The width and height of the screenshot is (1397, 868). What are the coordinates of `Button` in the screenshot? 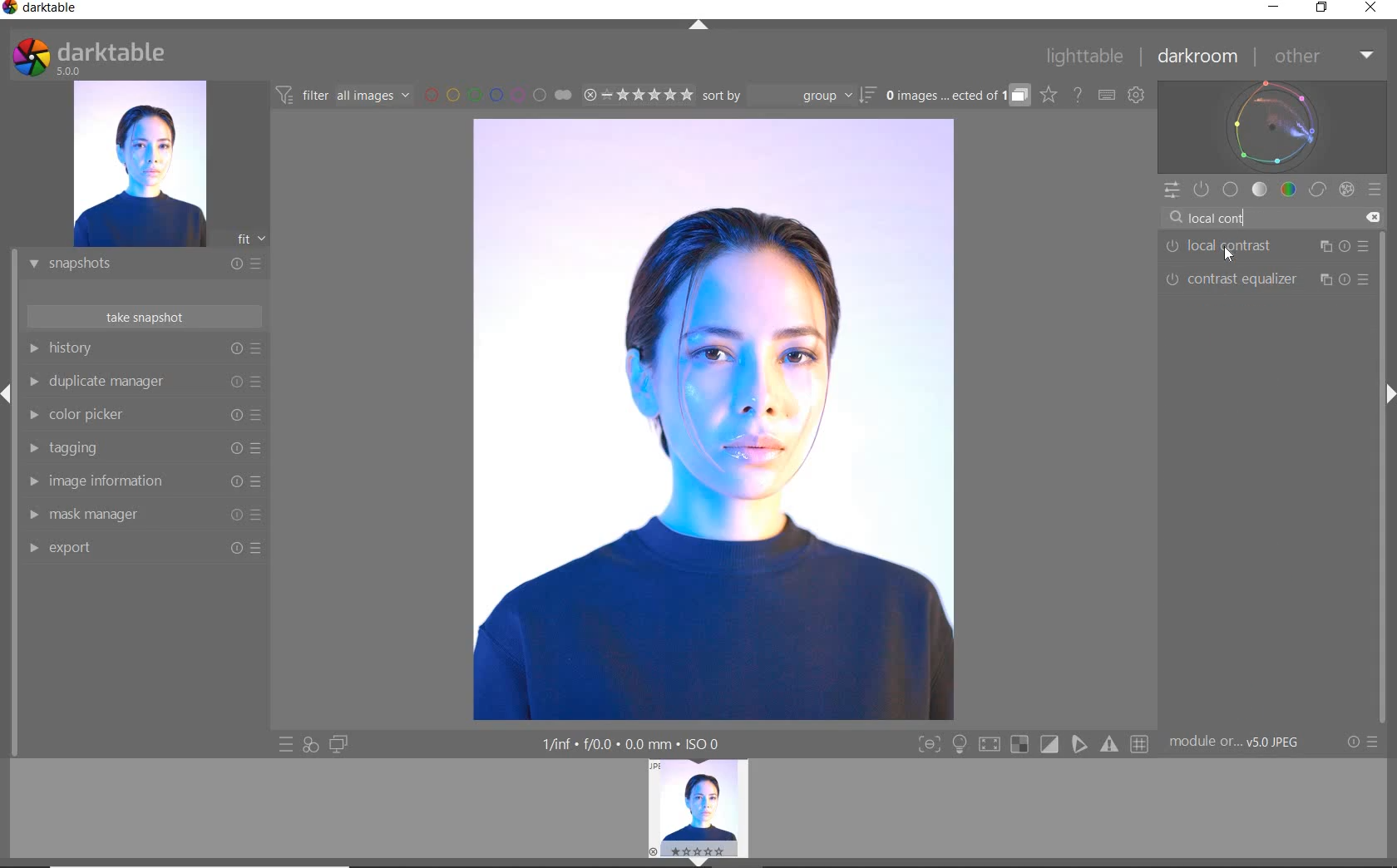 It's located at (1111, 744).